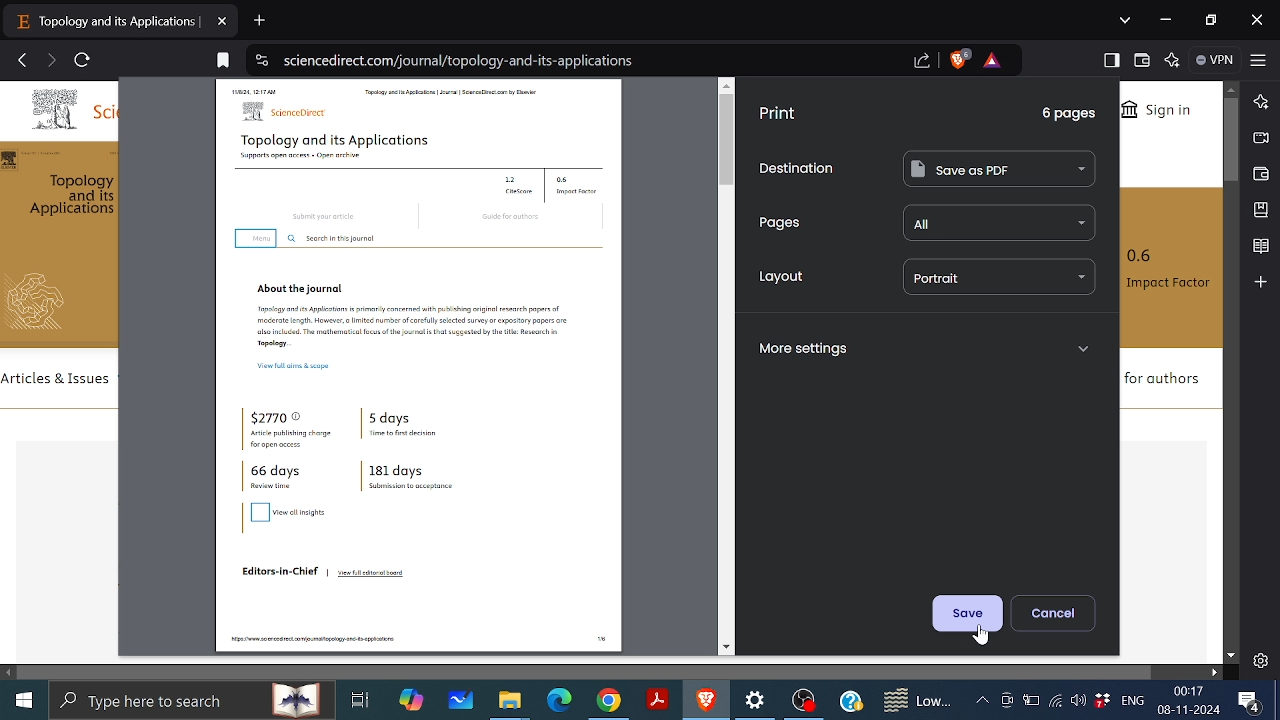 The image size is (1280, 720). Describe the element at coordinates (411, 482) in the screenshot. I see `181 days` at that location.